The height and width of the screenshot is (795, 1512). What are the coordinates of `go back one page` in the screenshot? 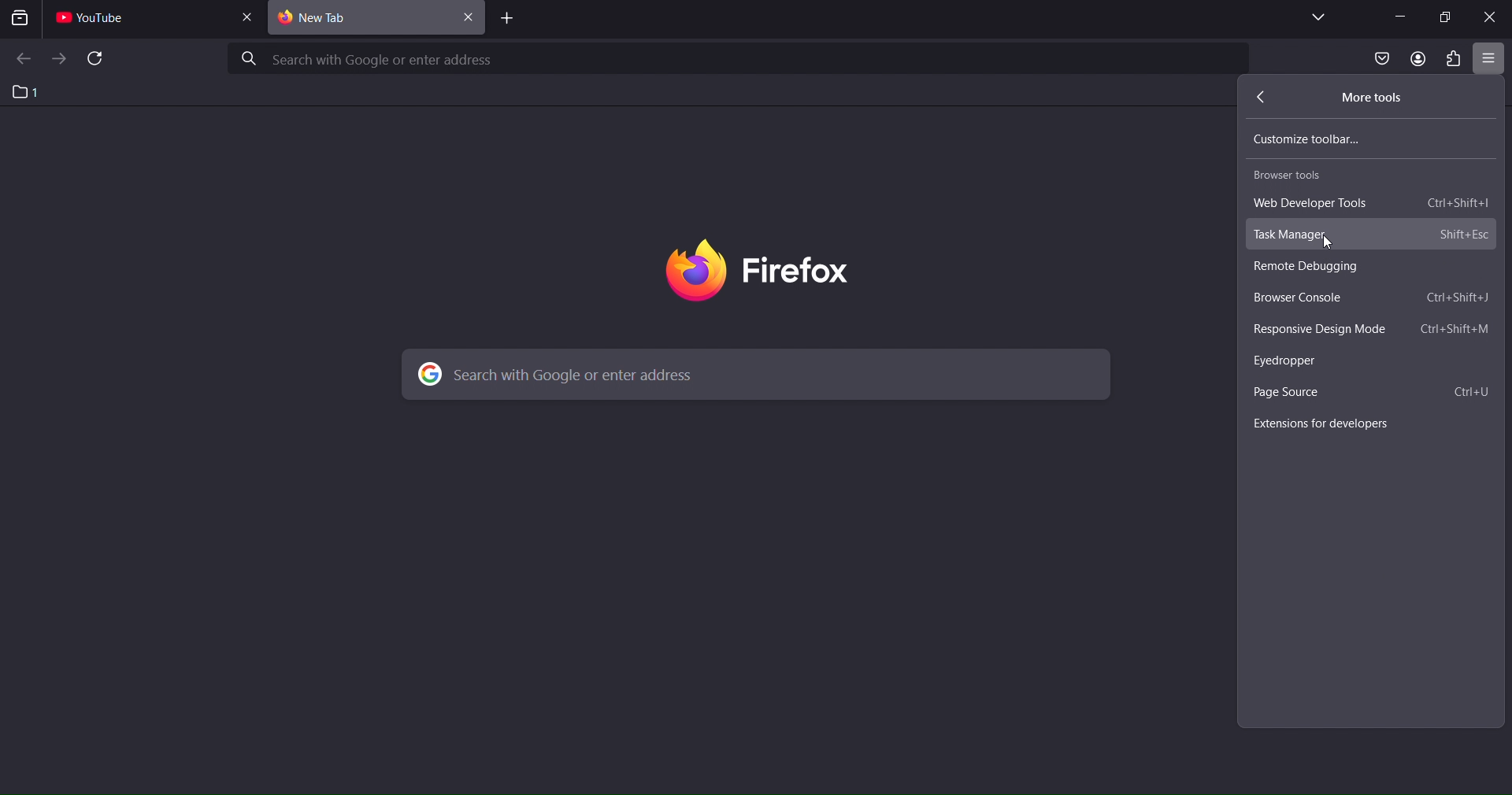 It's located at (22, 59).